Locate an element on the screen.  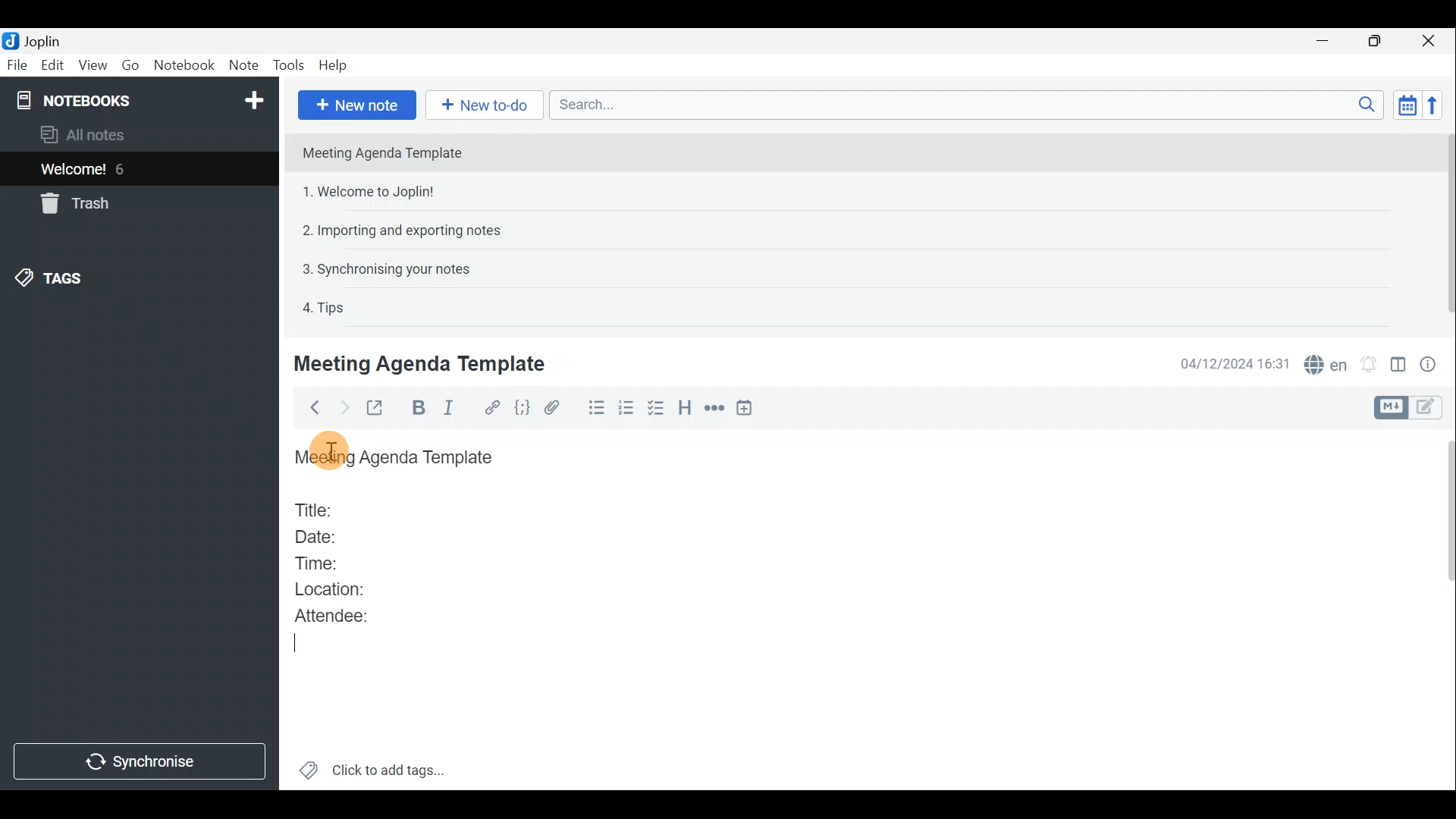
New to-do is located at coordinates (483, 104).